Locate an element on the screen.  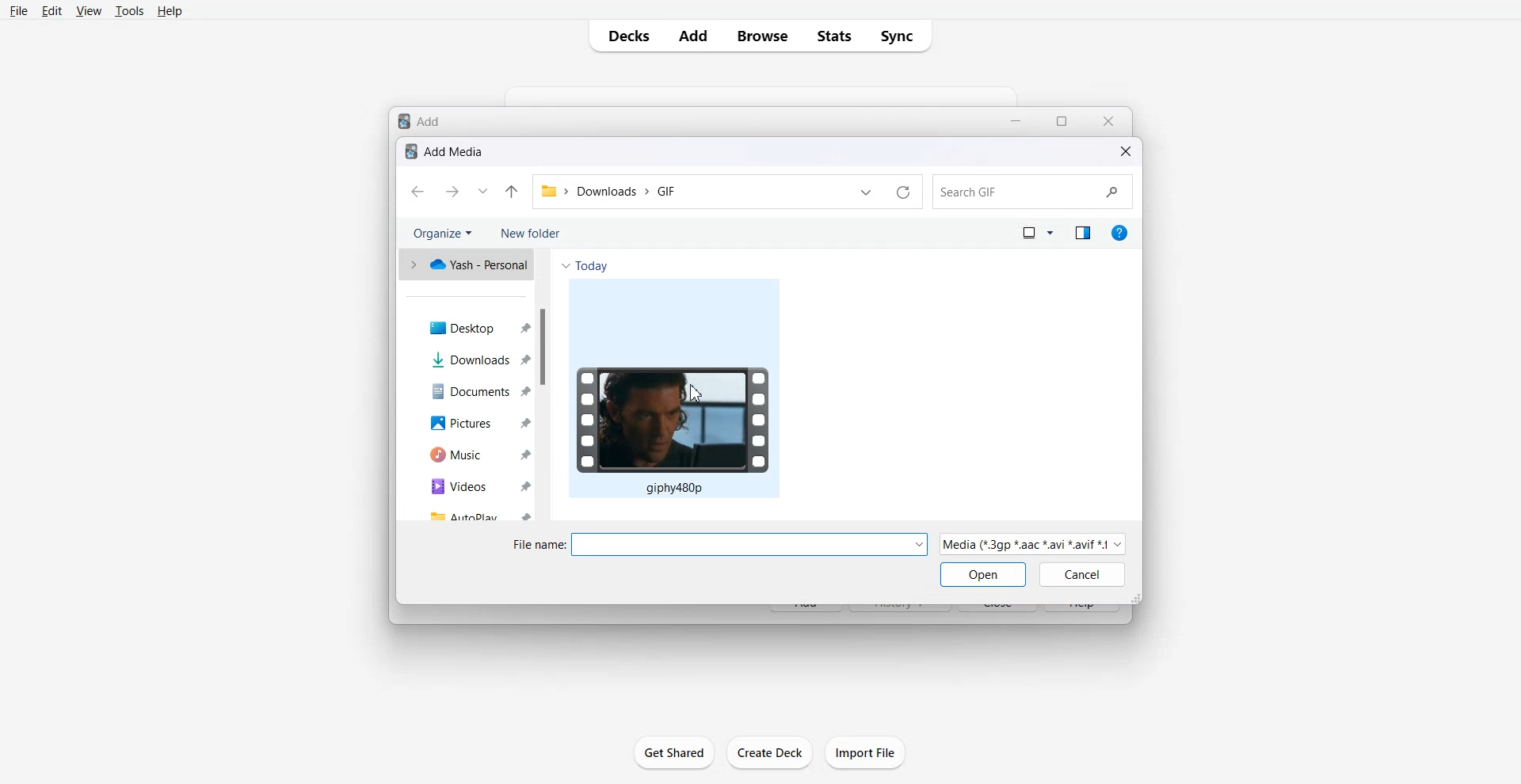
Tools is located at coordinates (128, 12).